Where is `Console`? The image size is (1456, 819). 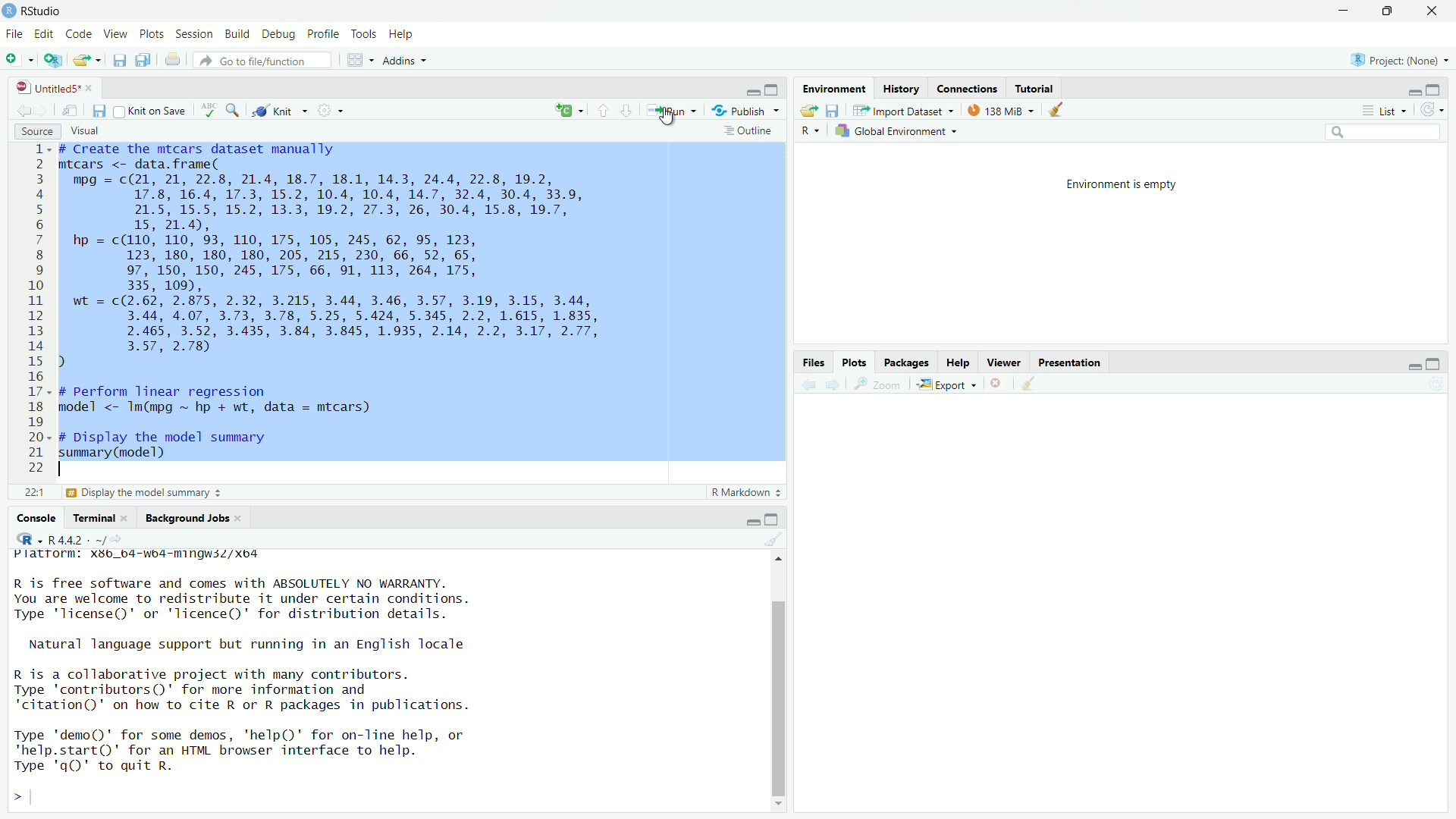
Console is located at coordinates (36, 519).